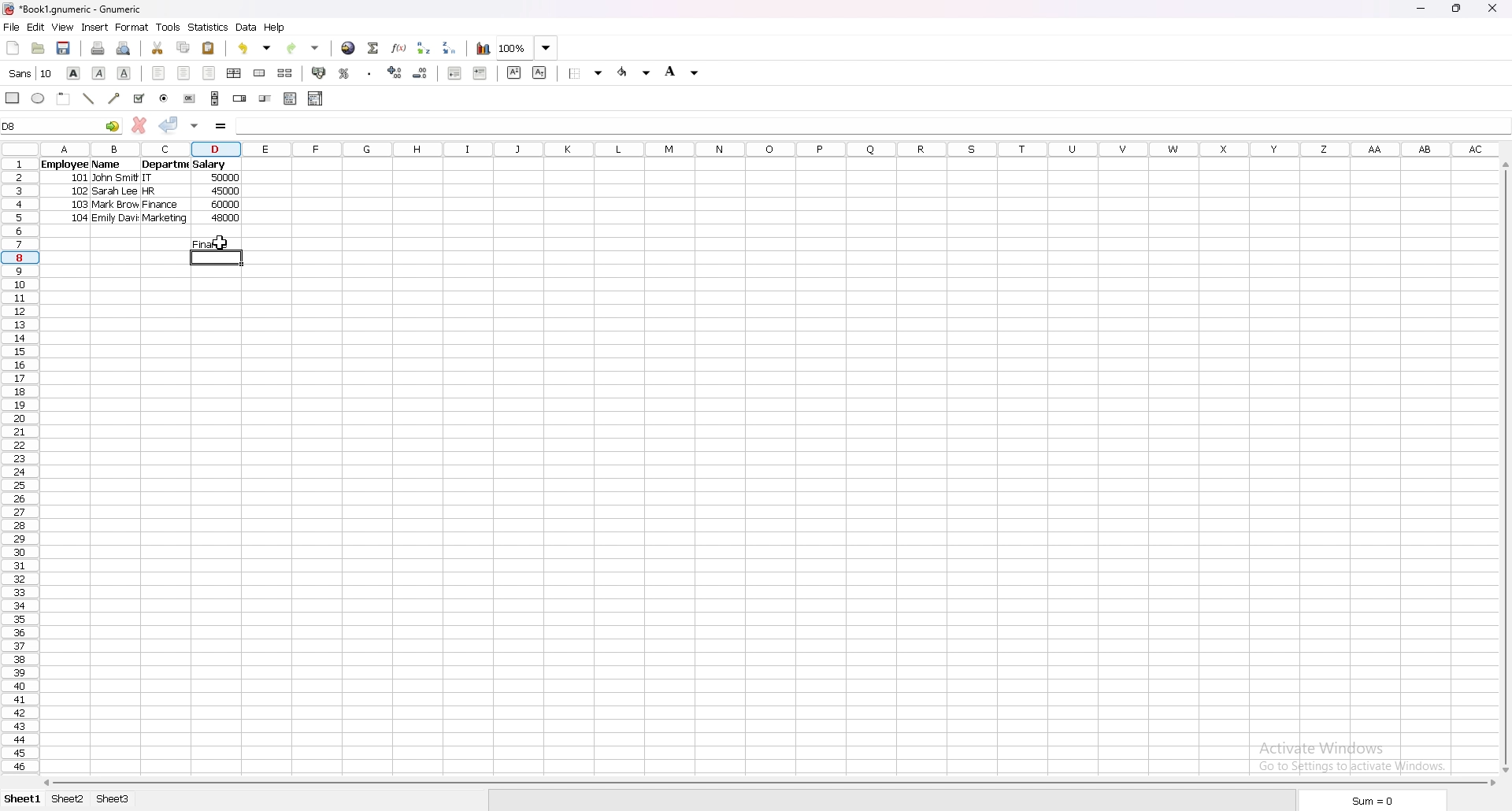  I want to click on formula, so click(221, 127).